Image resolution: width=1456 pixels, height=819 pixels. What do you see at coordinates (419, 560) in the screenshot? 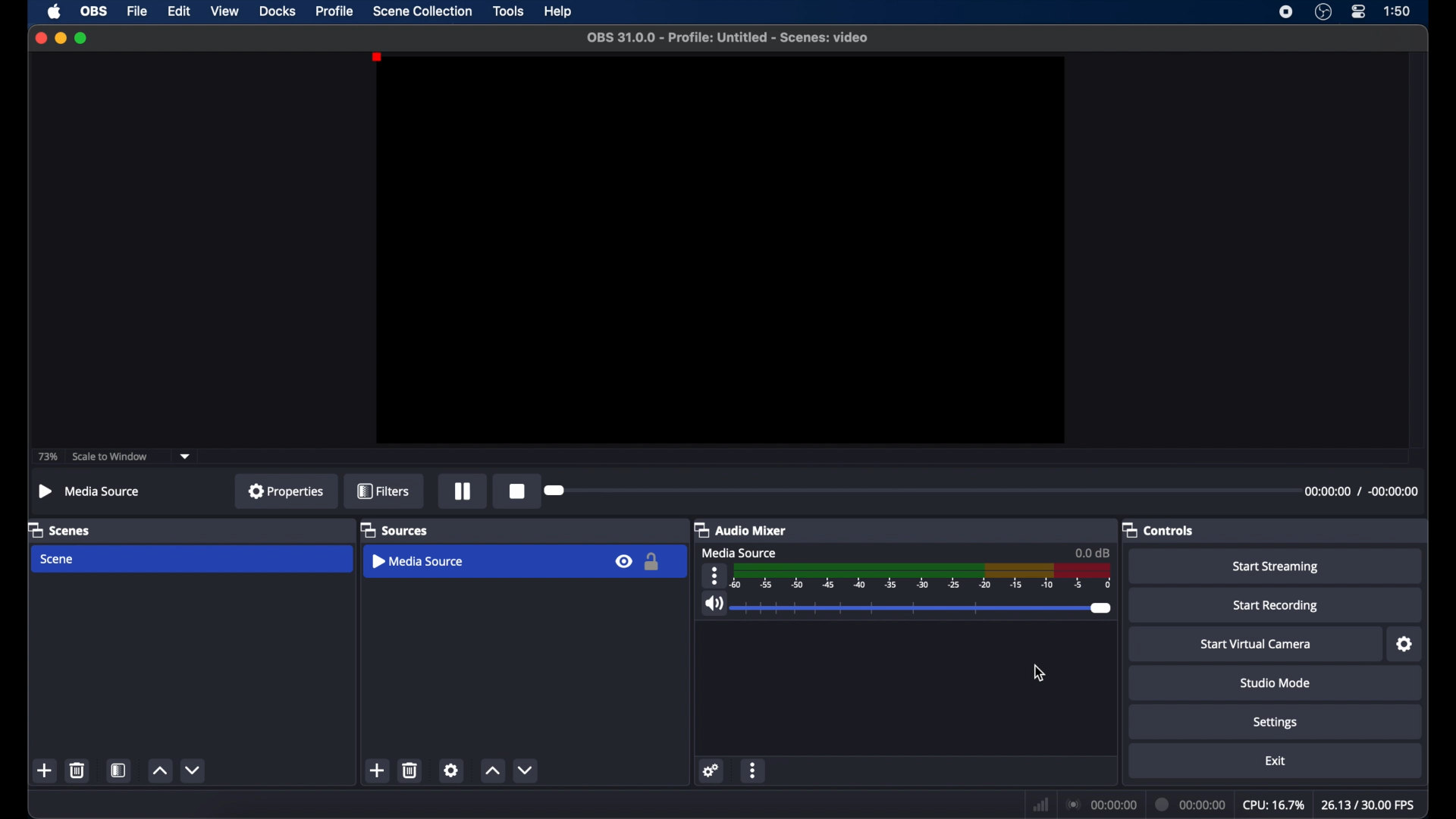
I see `media source` at bounding box center [419, 560].